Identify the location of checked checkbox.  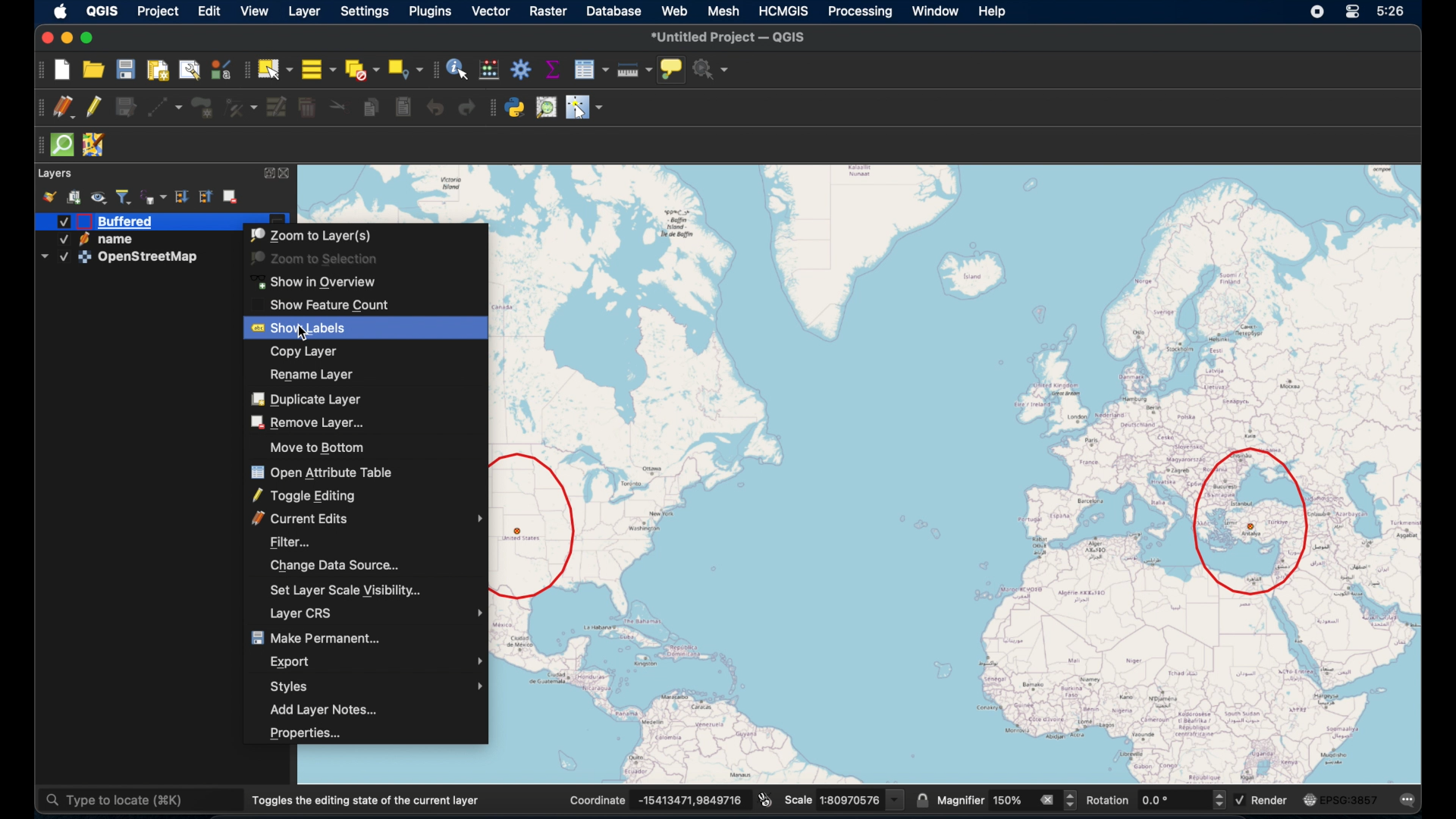
(1239, 798).